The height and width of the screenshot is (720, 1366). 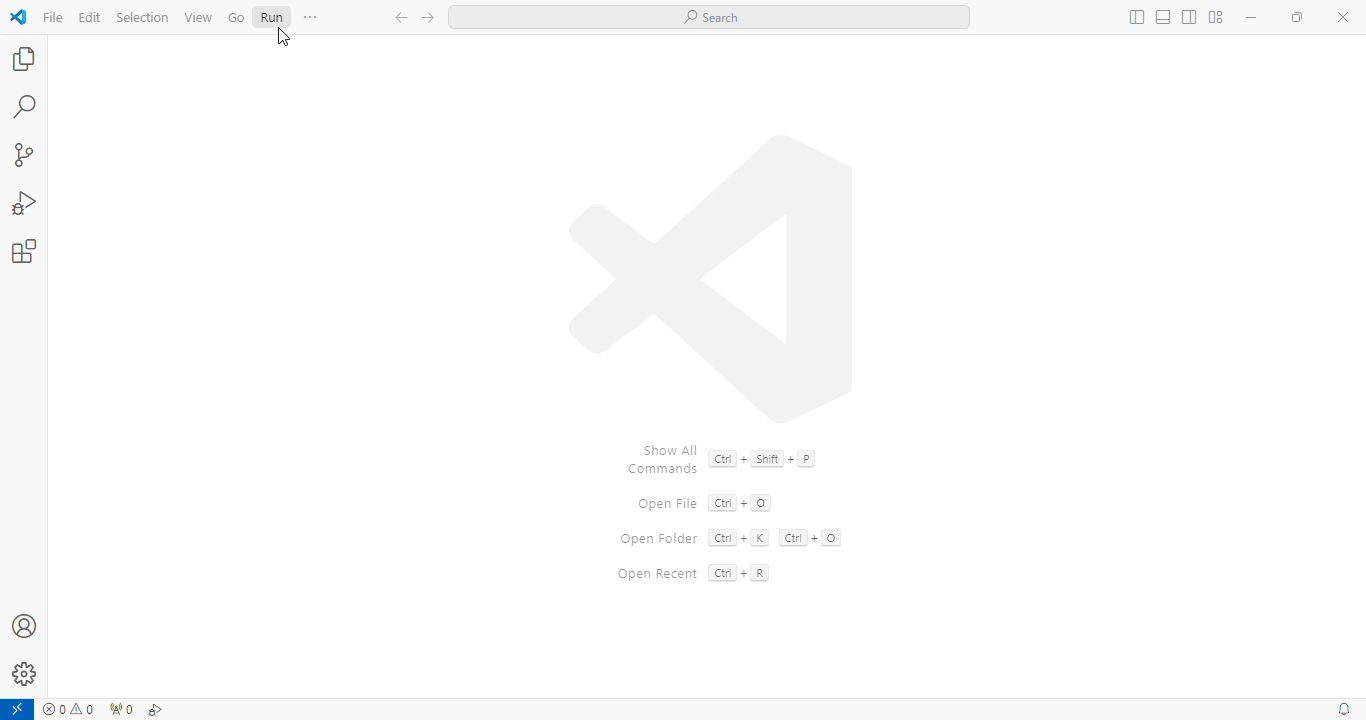 I want to click on toggle secondary side bar, so click(x=1189, y=17).